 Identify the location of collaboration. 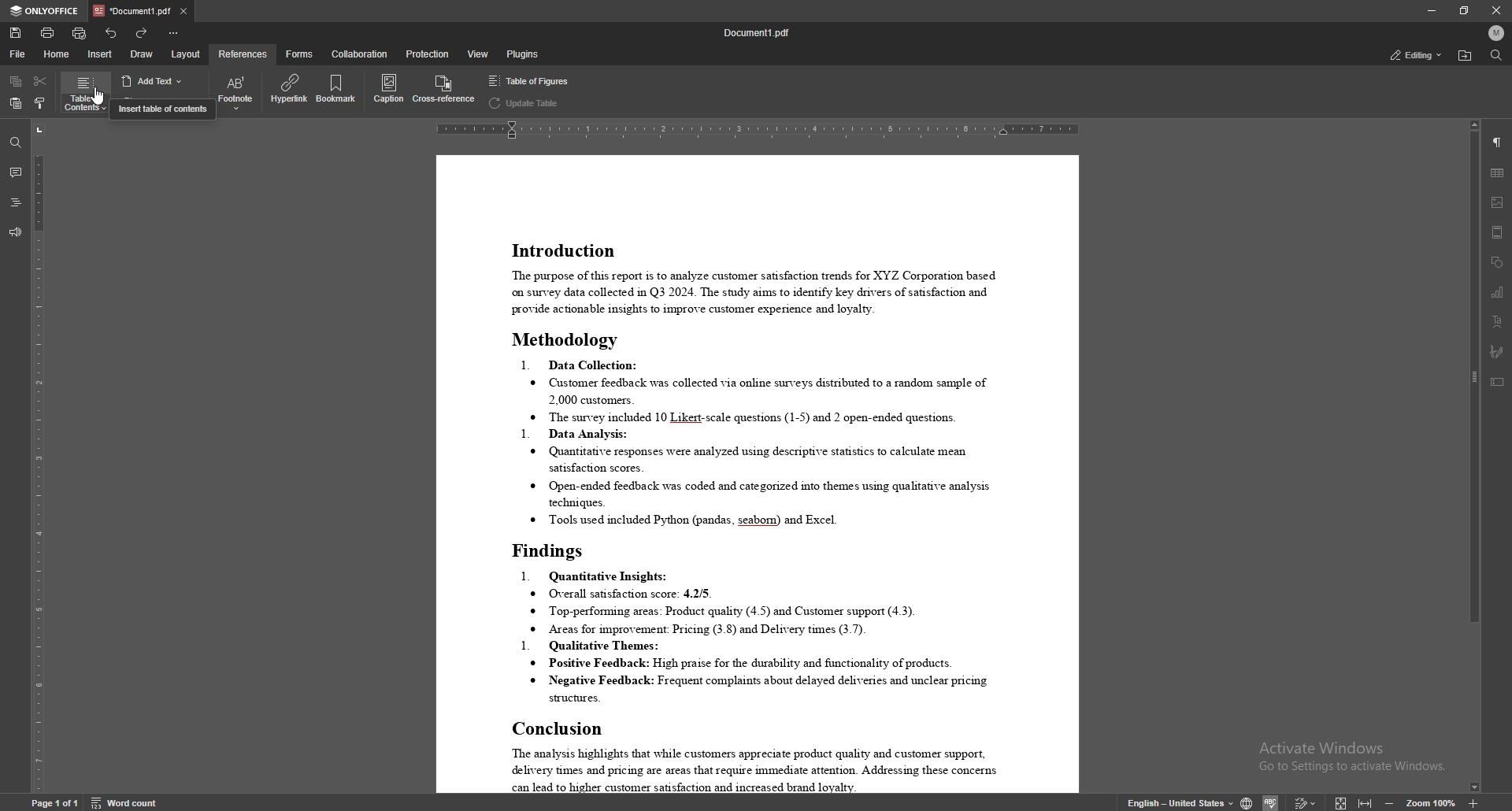
(361, 54).